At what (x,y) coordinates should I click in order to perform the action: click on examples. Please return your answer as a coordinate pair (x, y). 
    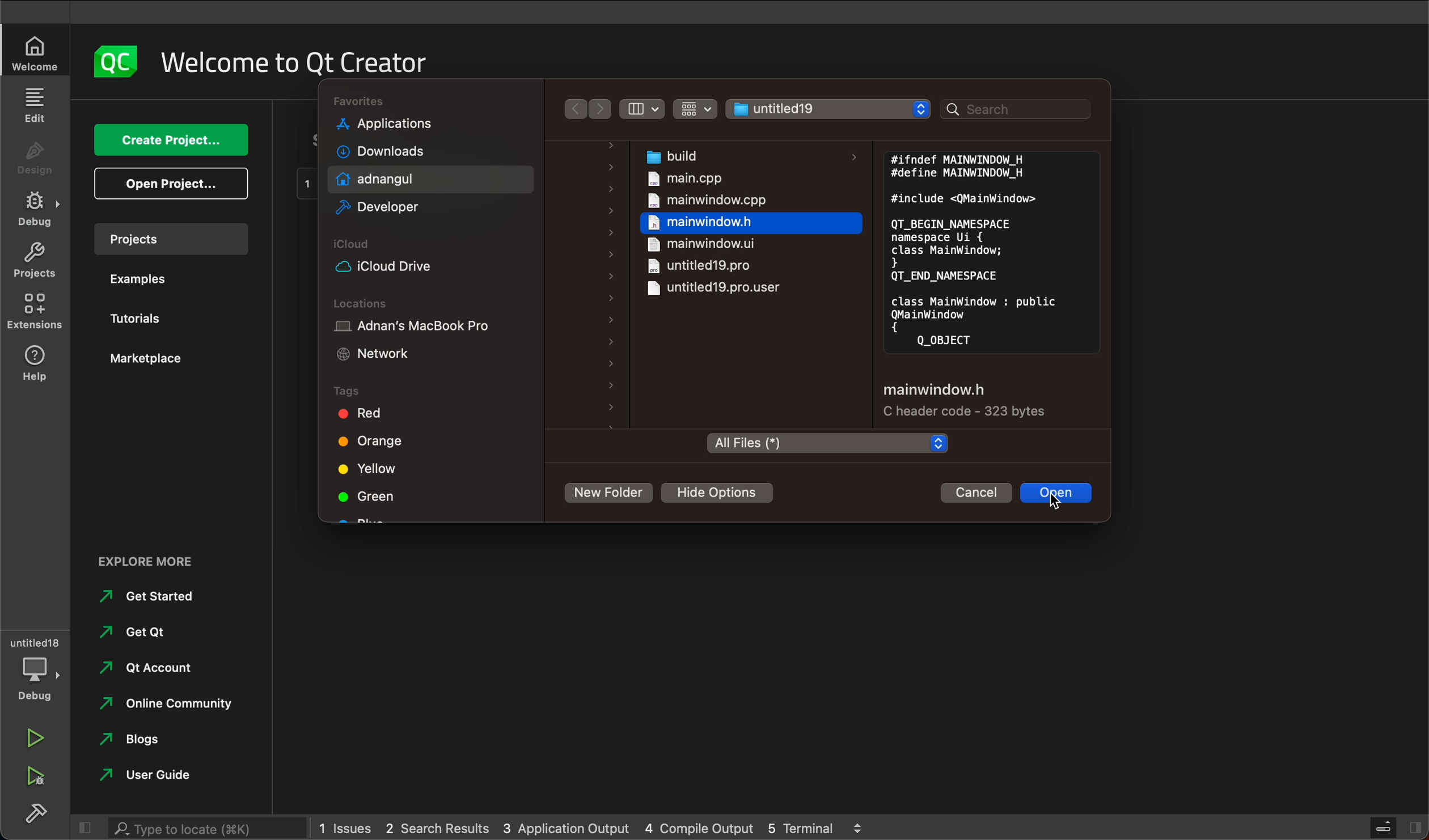
    Looking at the image, I should click on (141, 277).